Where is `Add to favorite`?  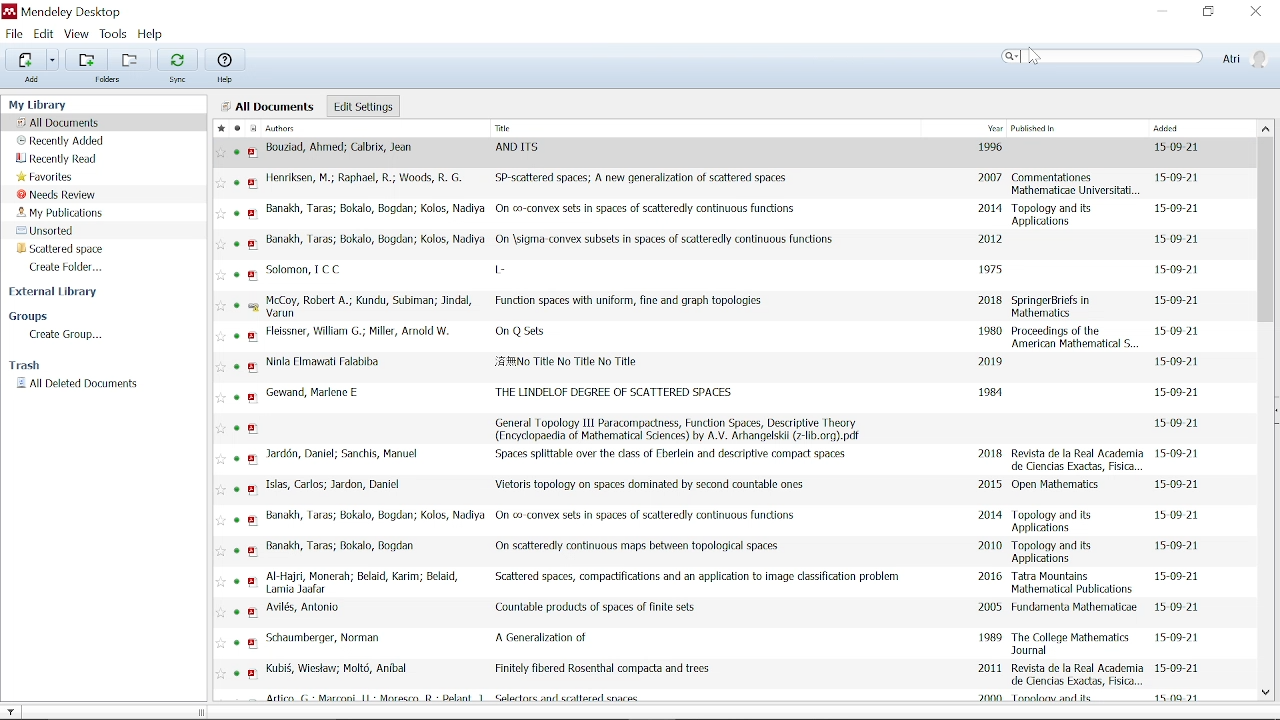 Add to favorite is located at coordinates (221, 520).